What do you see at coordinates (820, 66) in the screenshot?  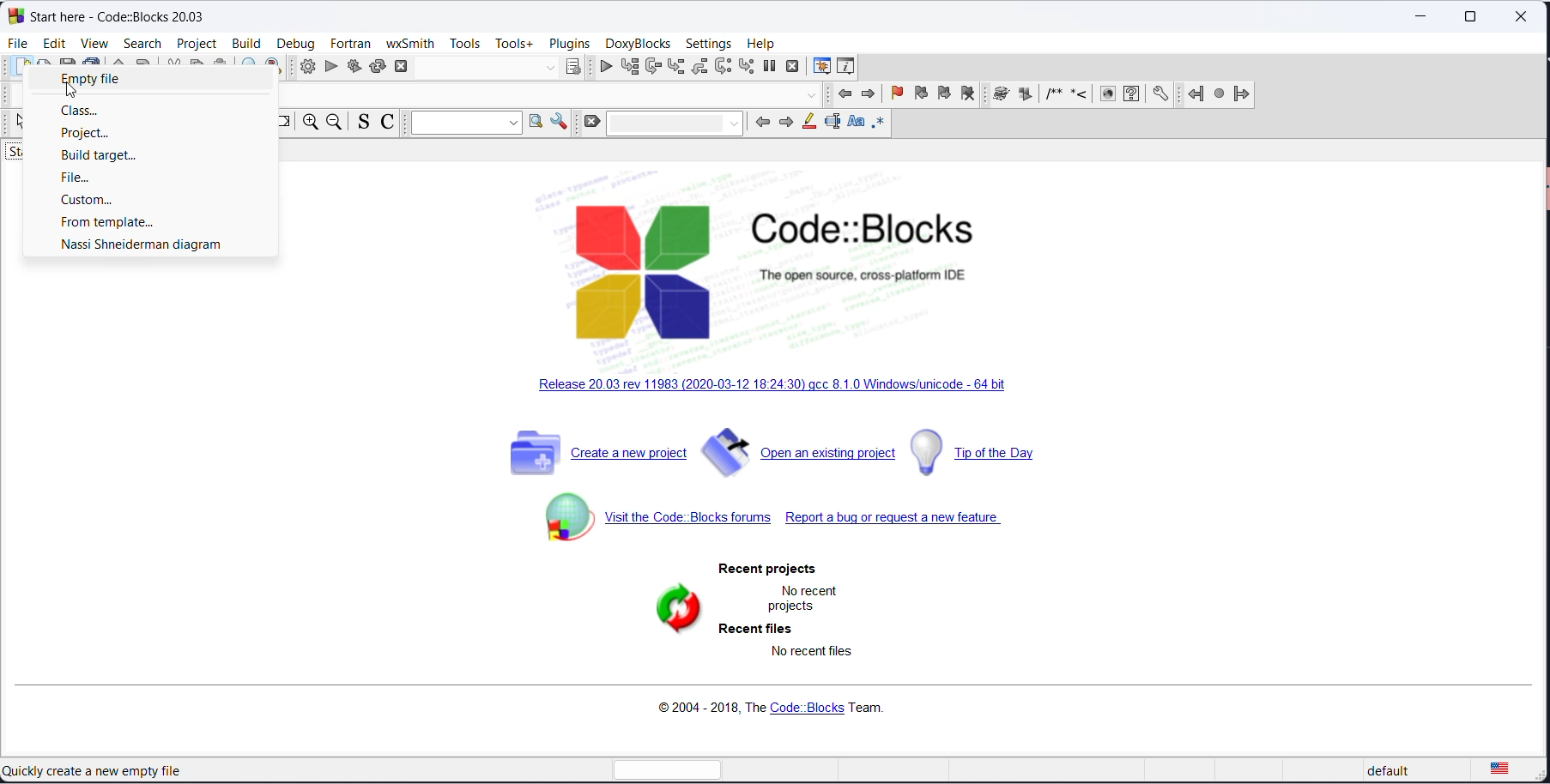 I see `debugging windows` at bounding box center [820, 66].